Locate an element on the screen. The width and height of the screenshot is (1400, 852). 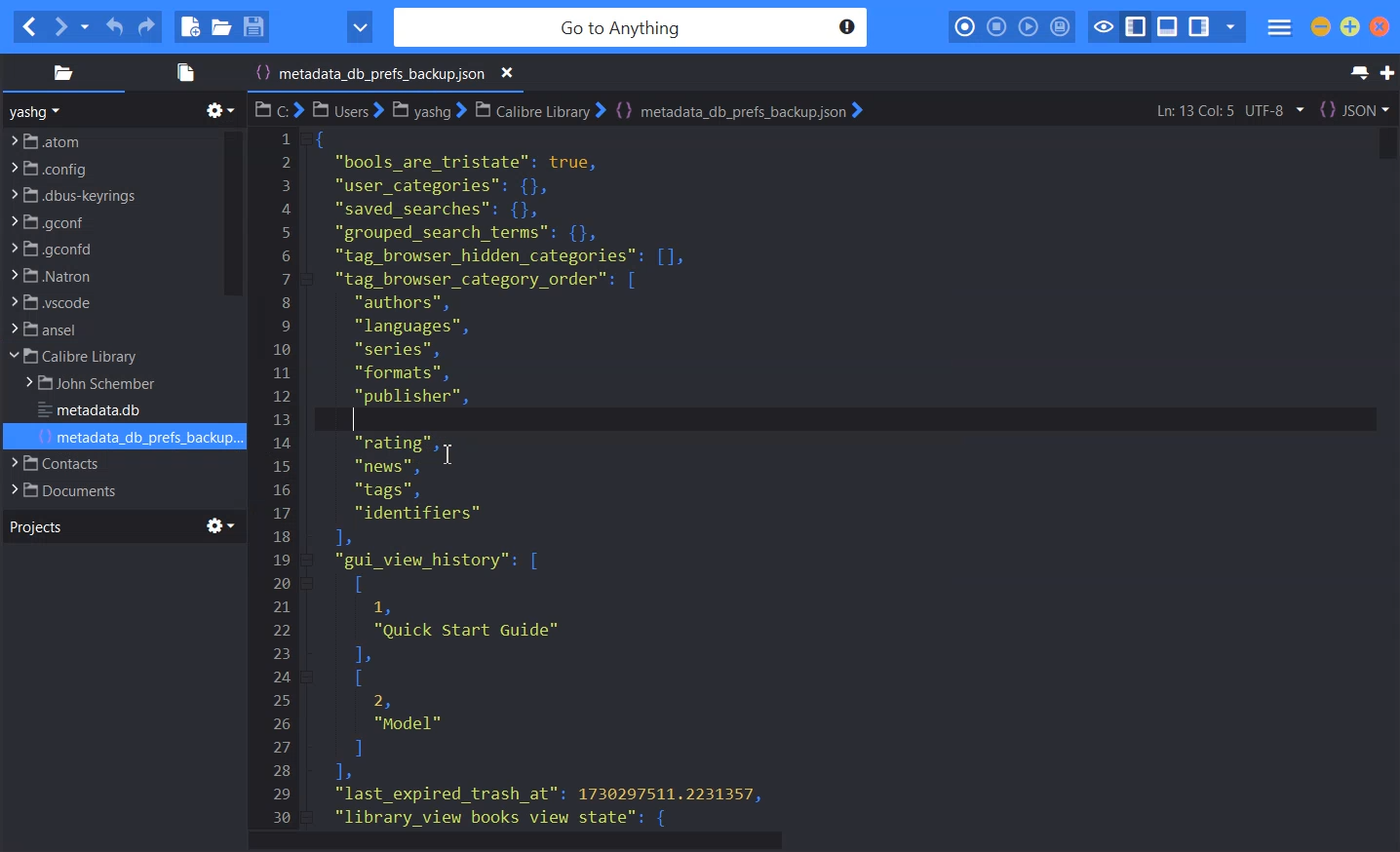
Minimize is located at coordinates (1321, 26).